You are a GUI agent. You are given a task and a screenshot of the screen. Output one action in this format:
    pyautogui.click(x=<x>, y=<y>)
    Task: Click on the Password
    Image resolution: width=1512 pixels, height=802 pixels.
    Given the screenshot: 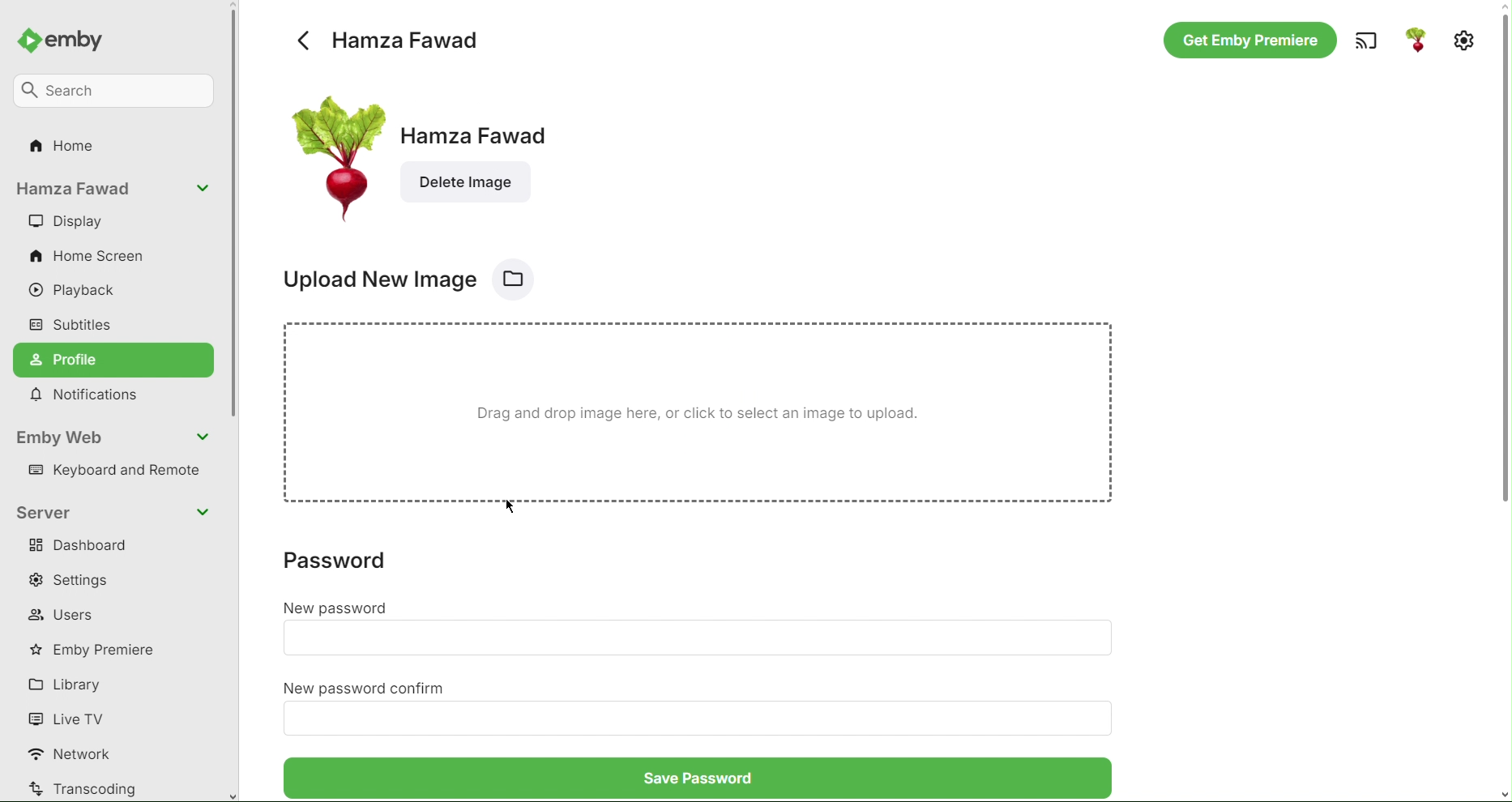 What is the action you would take?
    pyautogui.click(x=349, y=568)
    